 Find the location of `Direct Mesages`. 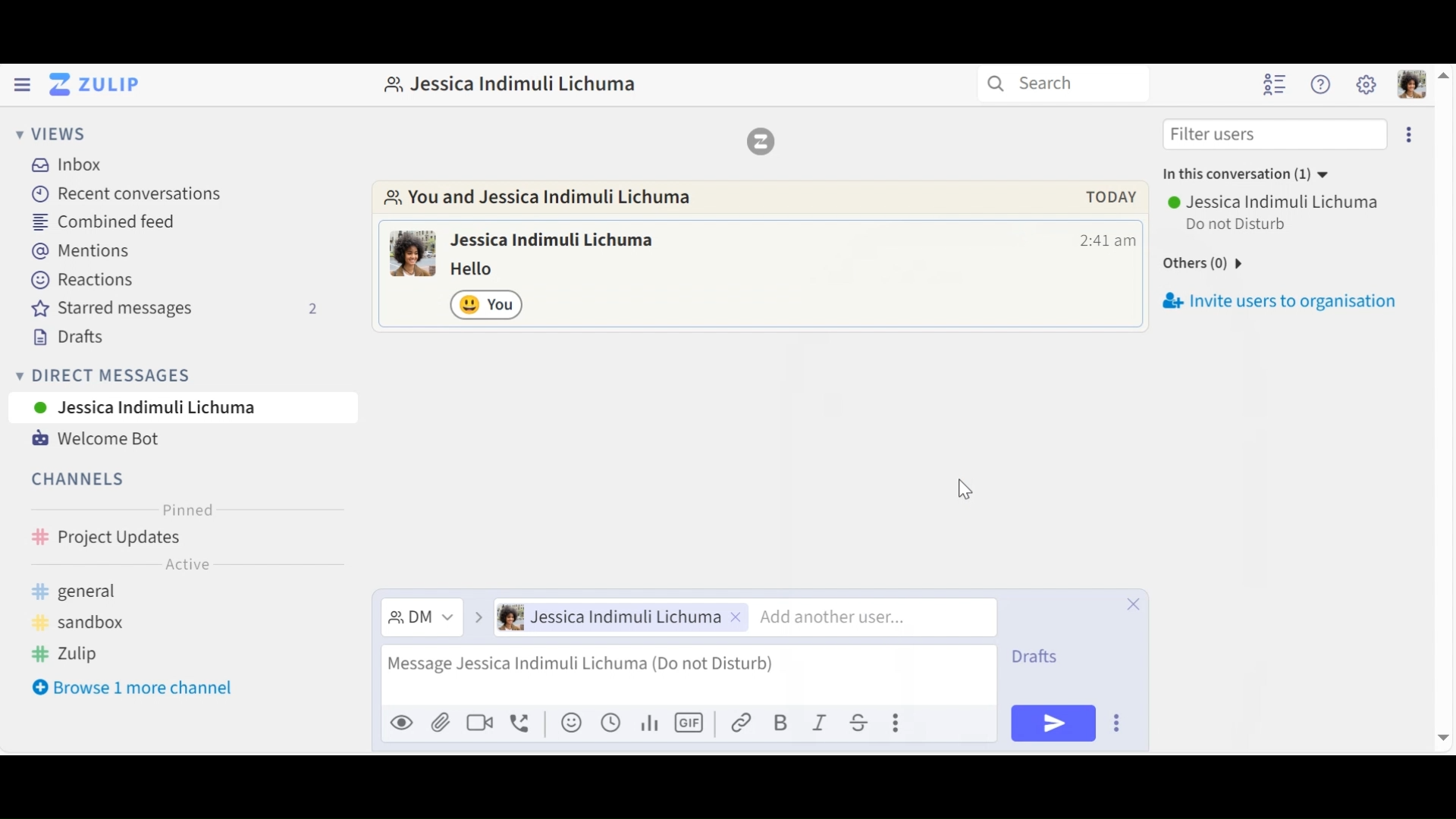

Direct Mesages is located at coordinates (171, 375).